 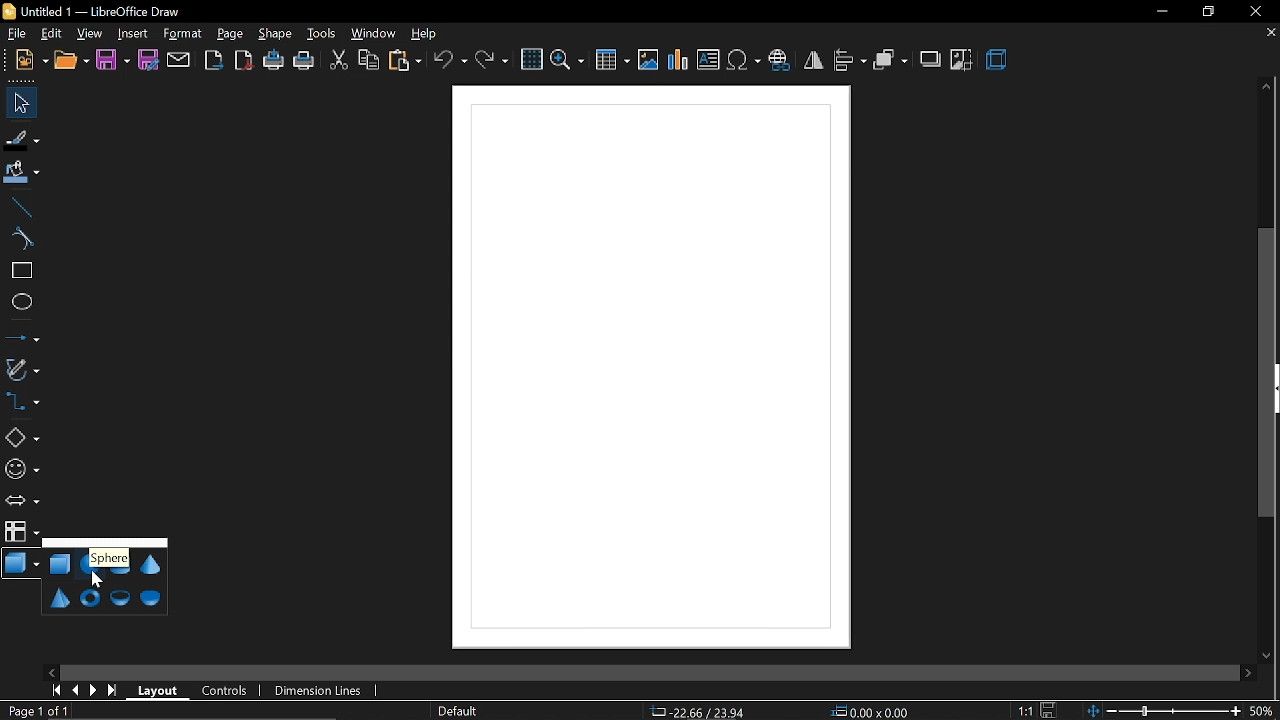 What do you see at coordinates (960, 60) in the screenshot?
I see `crop` at bounding box center [960, 60].